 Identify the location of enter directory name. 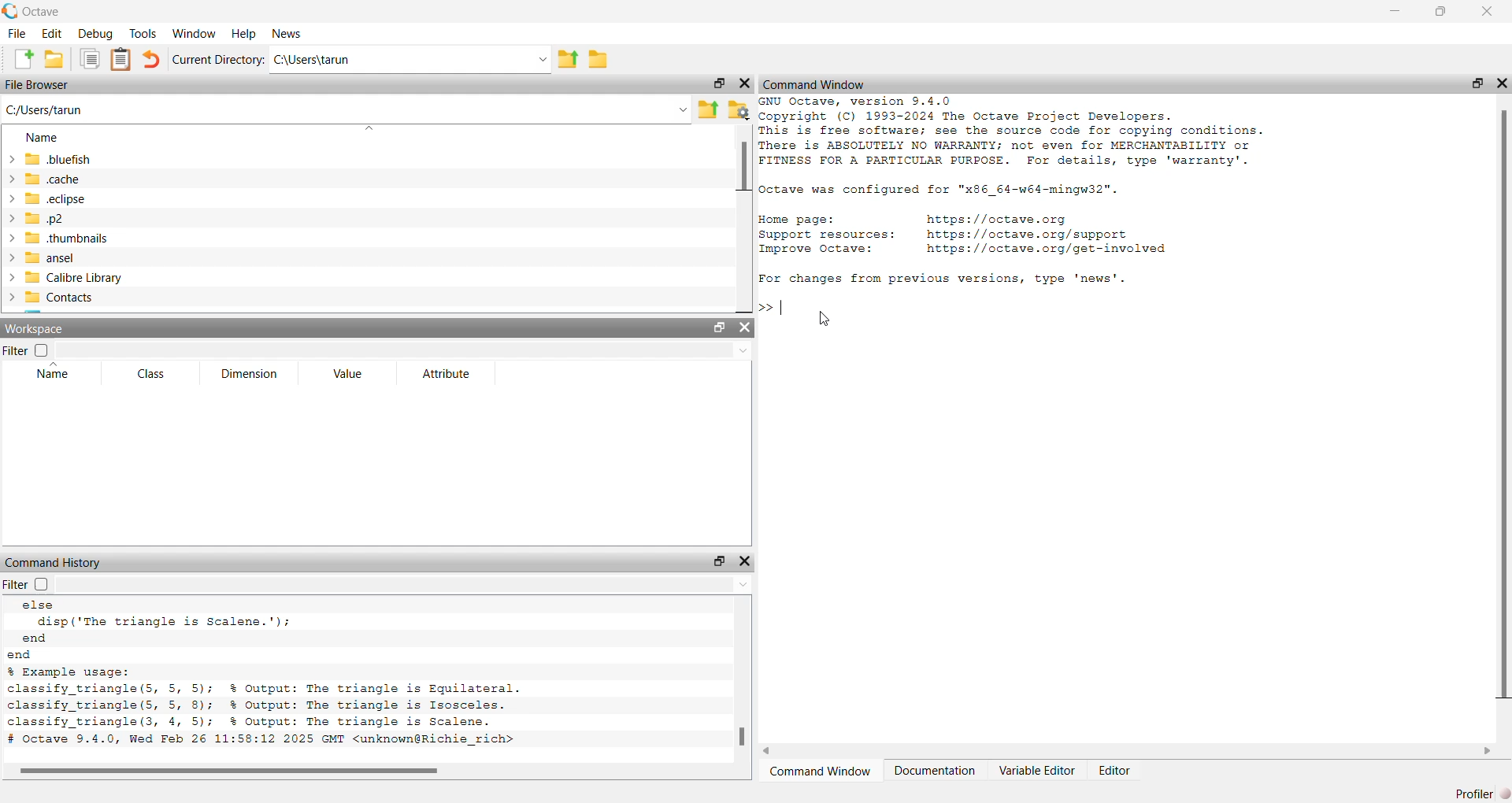
(410, 61).